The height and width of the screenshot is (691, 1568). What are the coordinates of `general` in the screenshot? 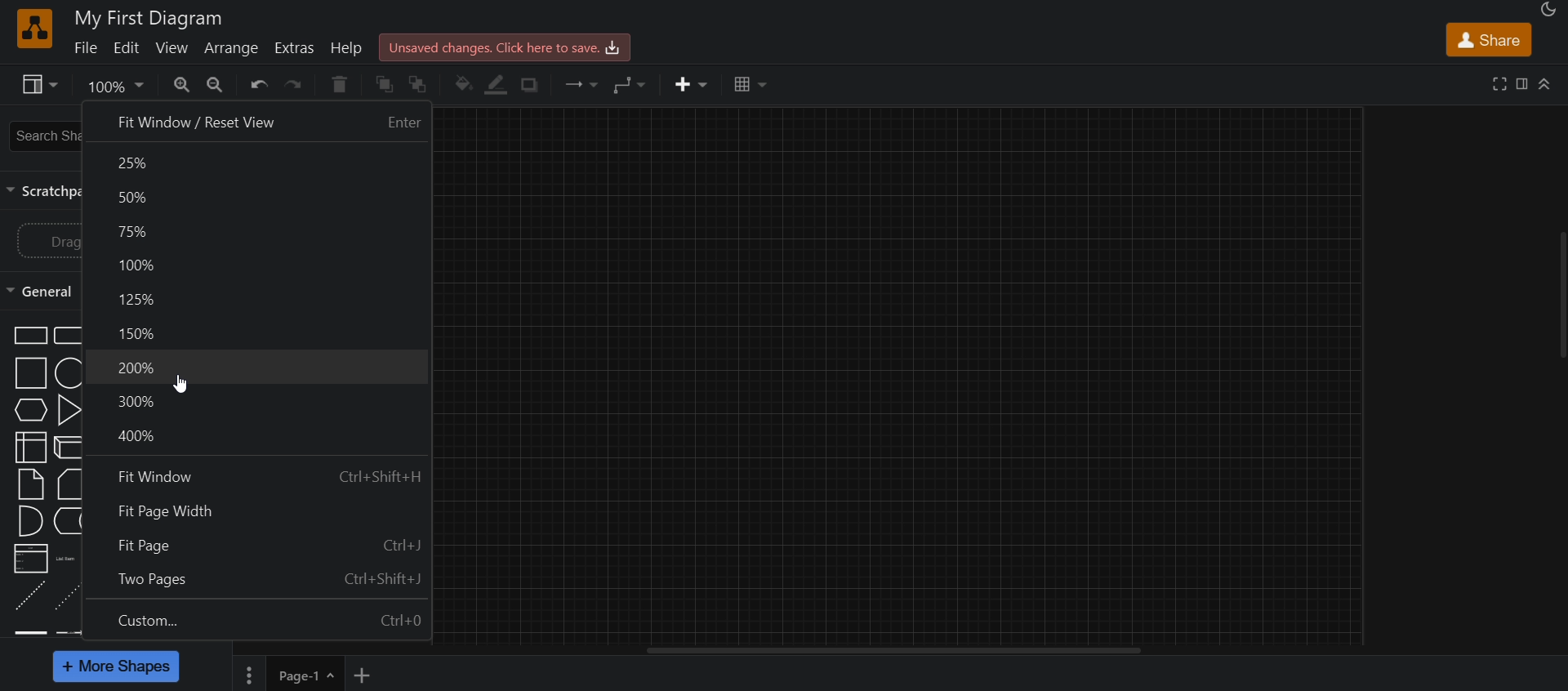 It's located at (37, 293).